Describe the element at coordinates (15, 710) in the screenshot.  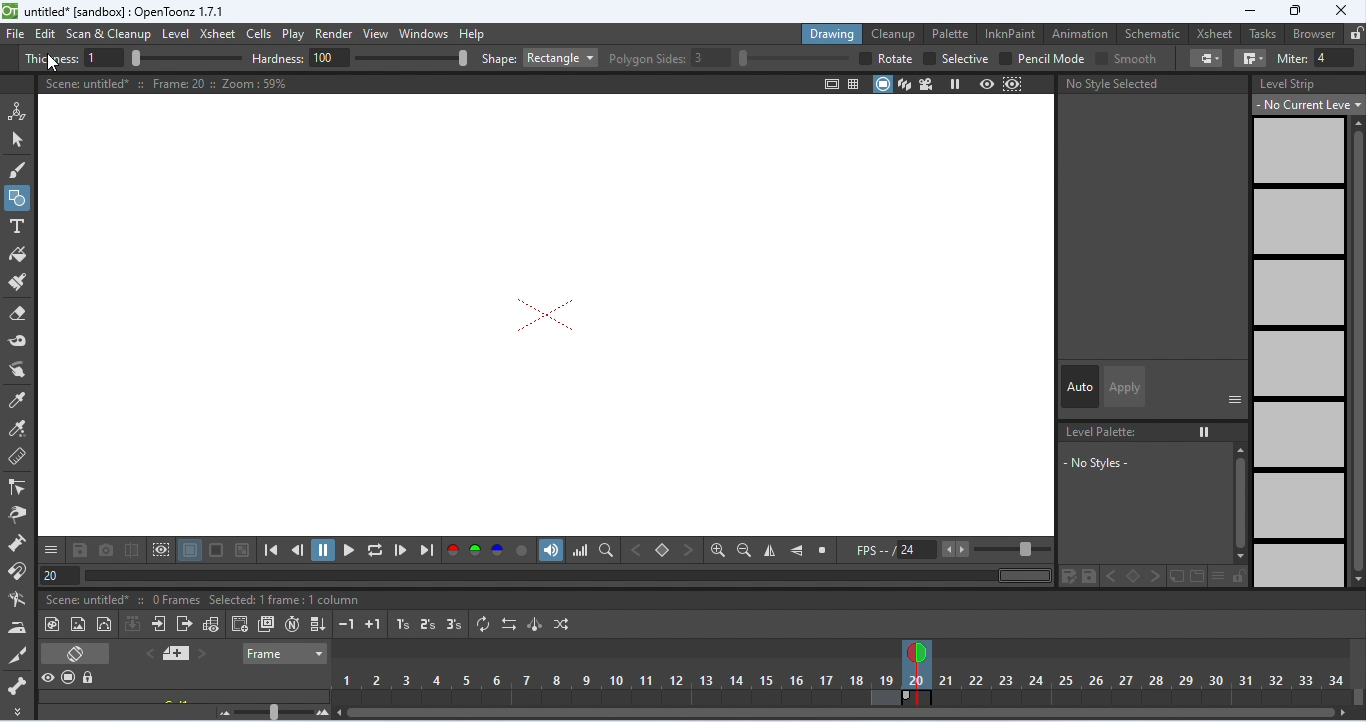
I see `more tool` at that location.